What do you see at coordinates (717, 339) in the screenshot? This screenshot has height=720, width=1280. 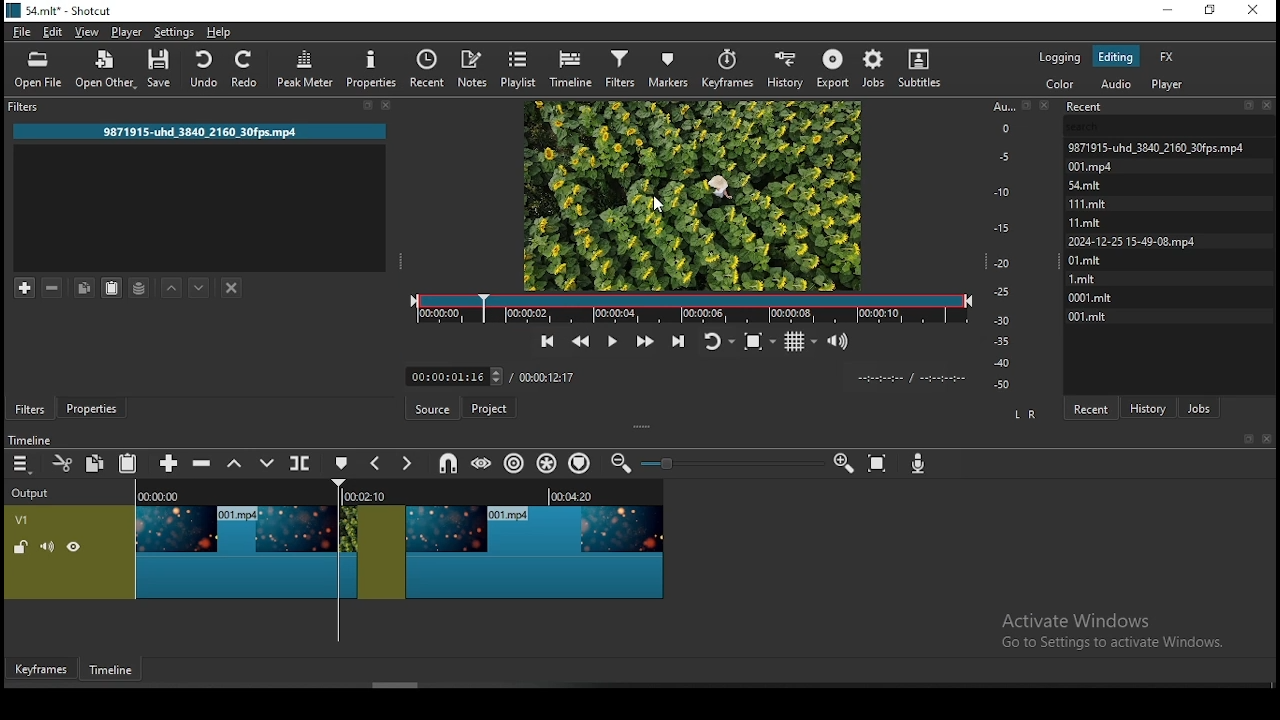 I see `toggle player looping` at bounding box center [717, 339].